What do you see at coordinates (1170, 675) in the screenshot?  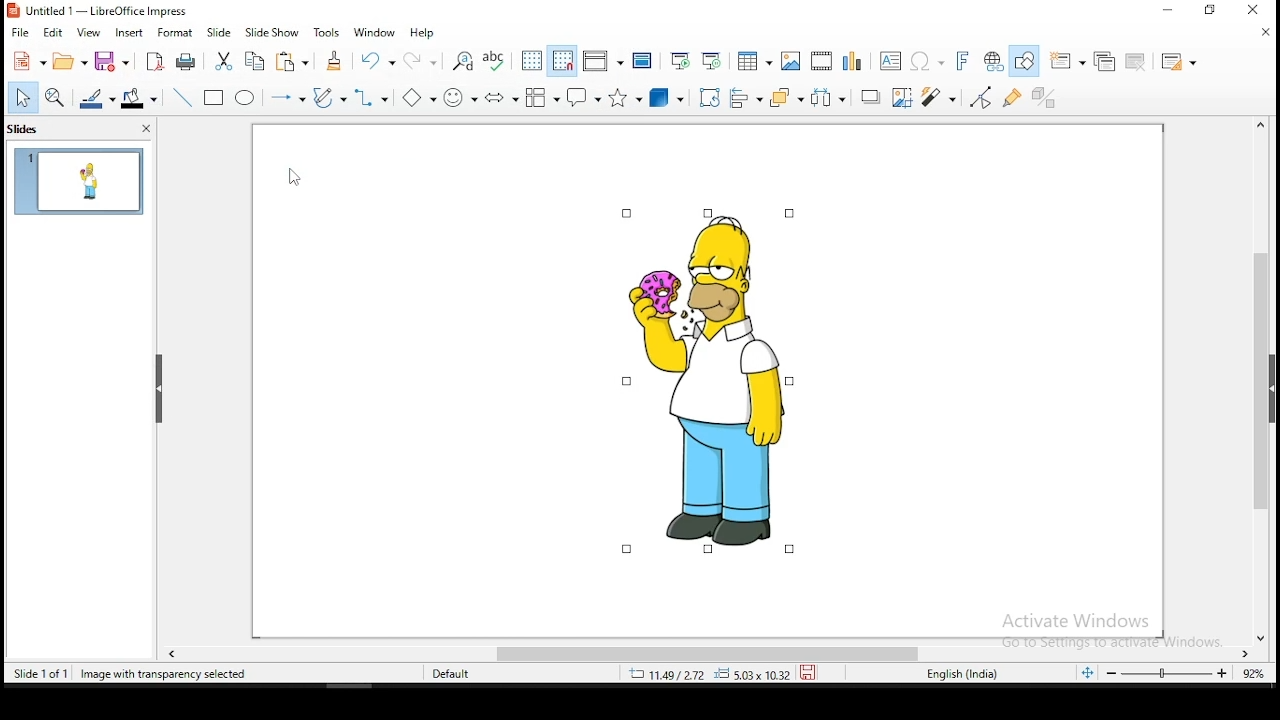 I see `zoom level` at bounding box center [1170, 675].